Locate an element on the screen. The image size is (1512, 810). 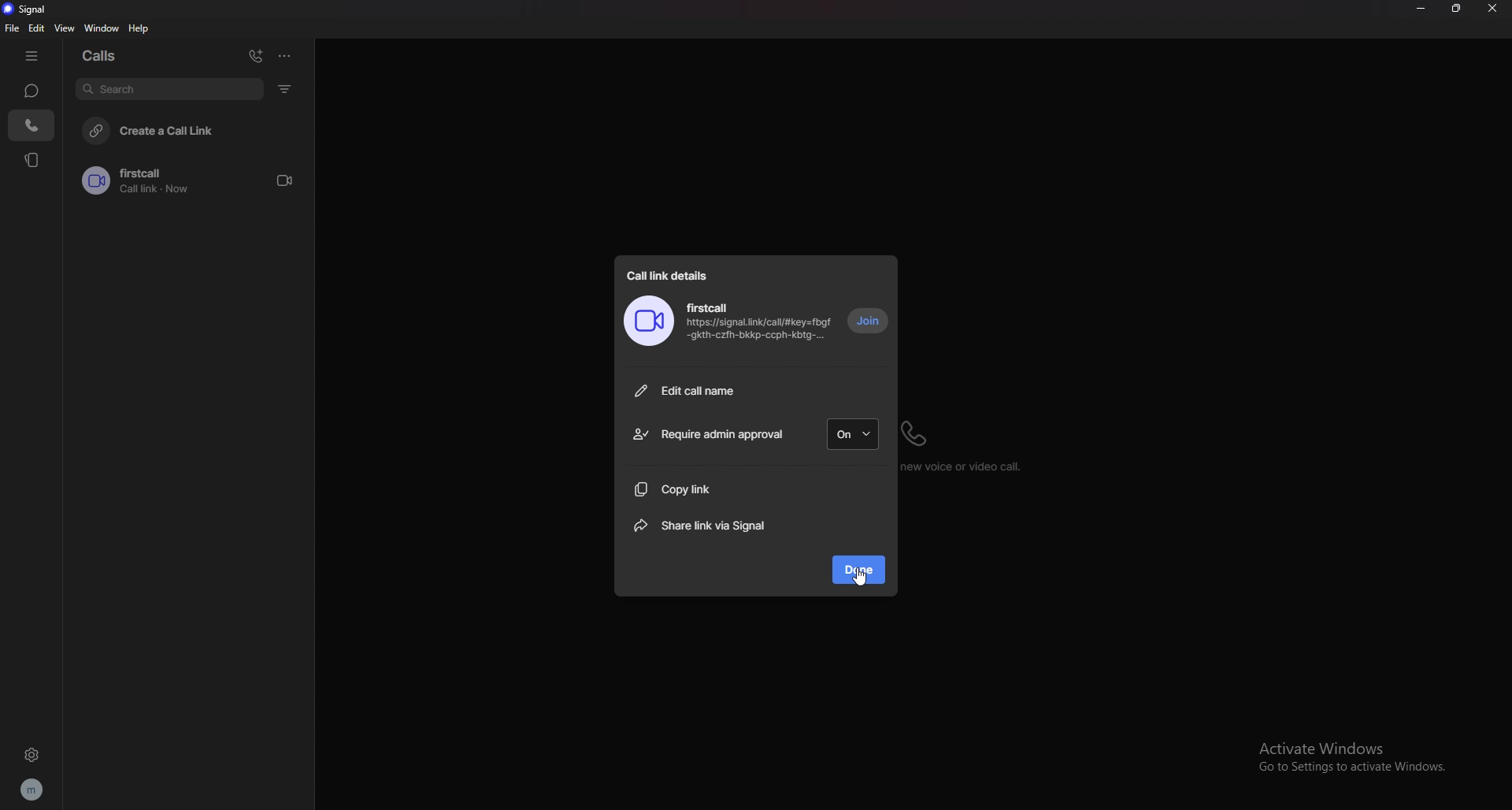
filter is located at coordinates (287, 88).